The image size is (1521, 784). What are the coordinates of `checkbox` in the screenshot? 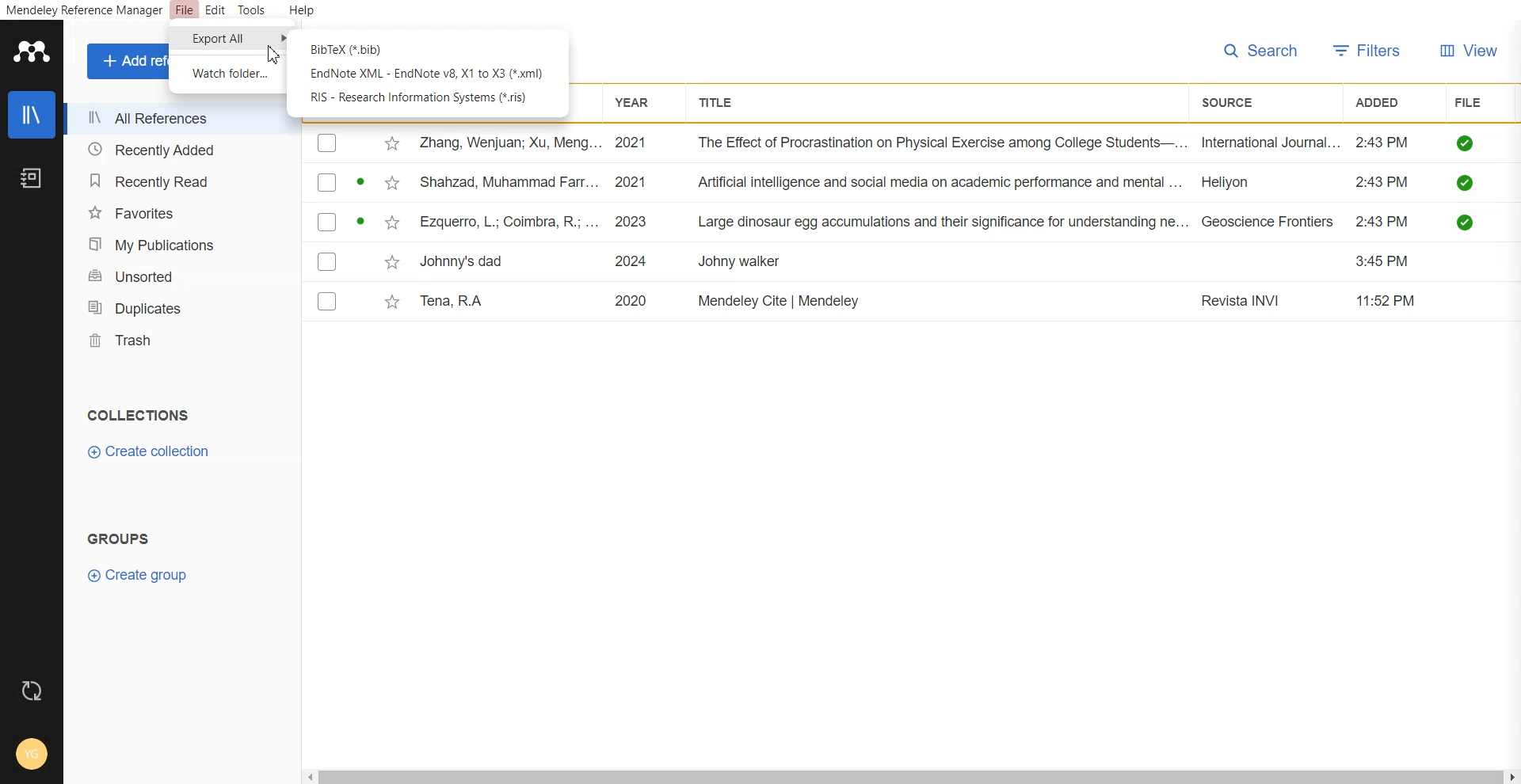 It's located at (327, 221).